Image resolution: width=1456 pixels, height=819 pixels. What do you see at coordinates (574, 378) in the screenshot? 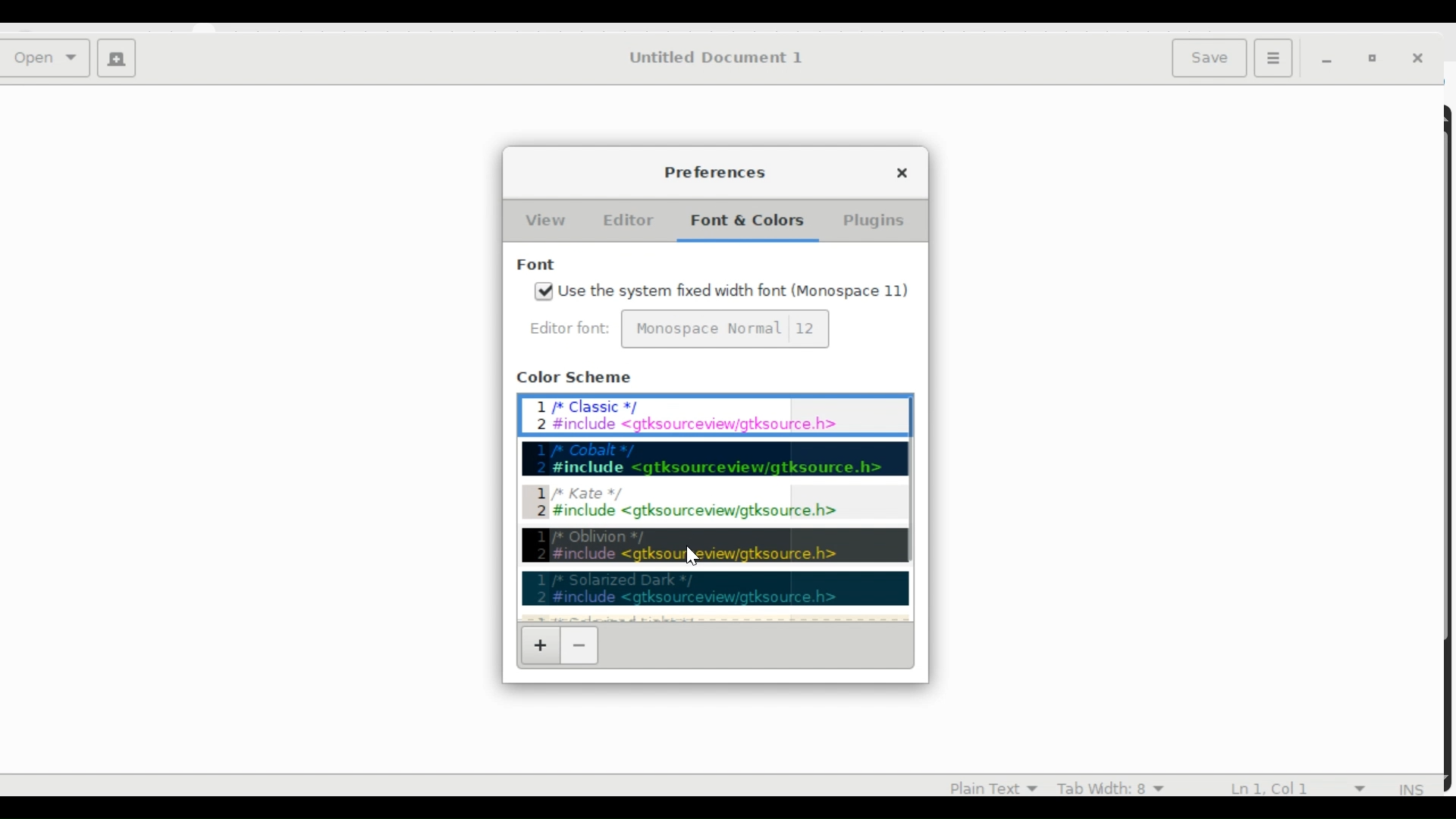
I see `Color Scheme` at bounding box center [574, 378].